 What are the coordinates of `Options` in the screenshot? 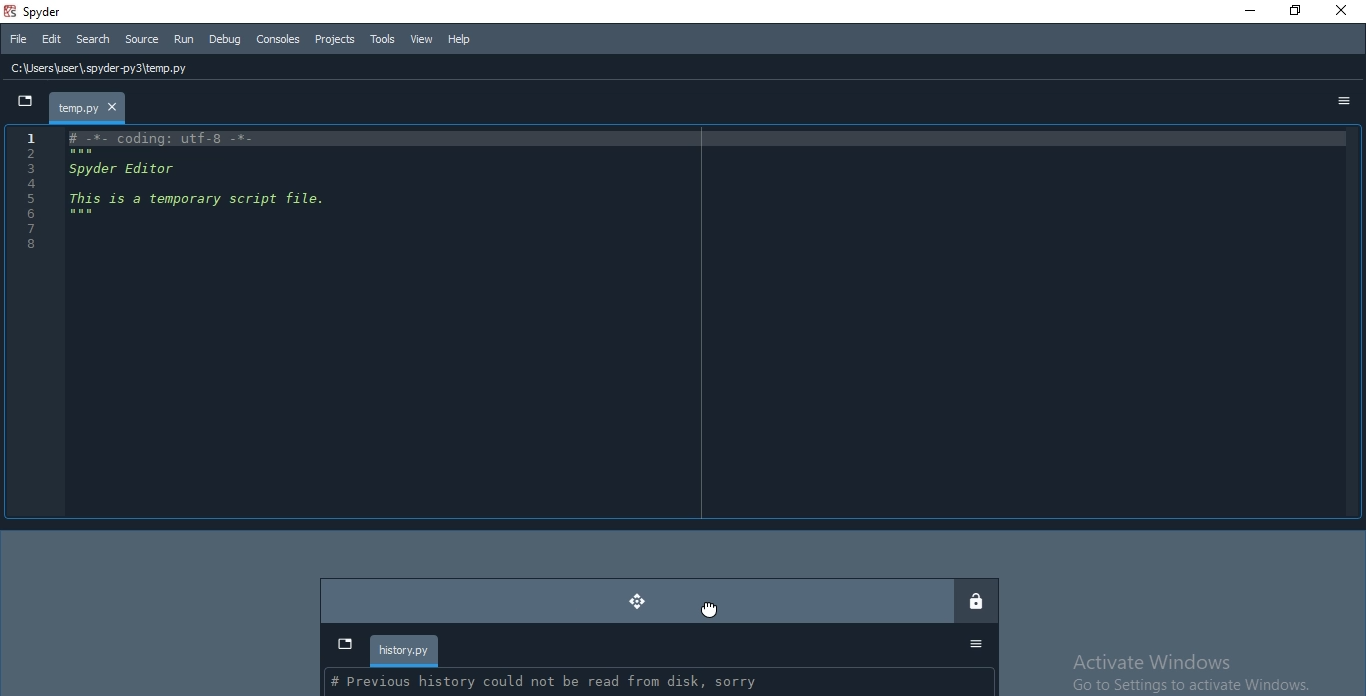 It's located at (973, 646).